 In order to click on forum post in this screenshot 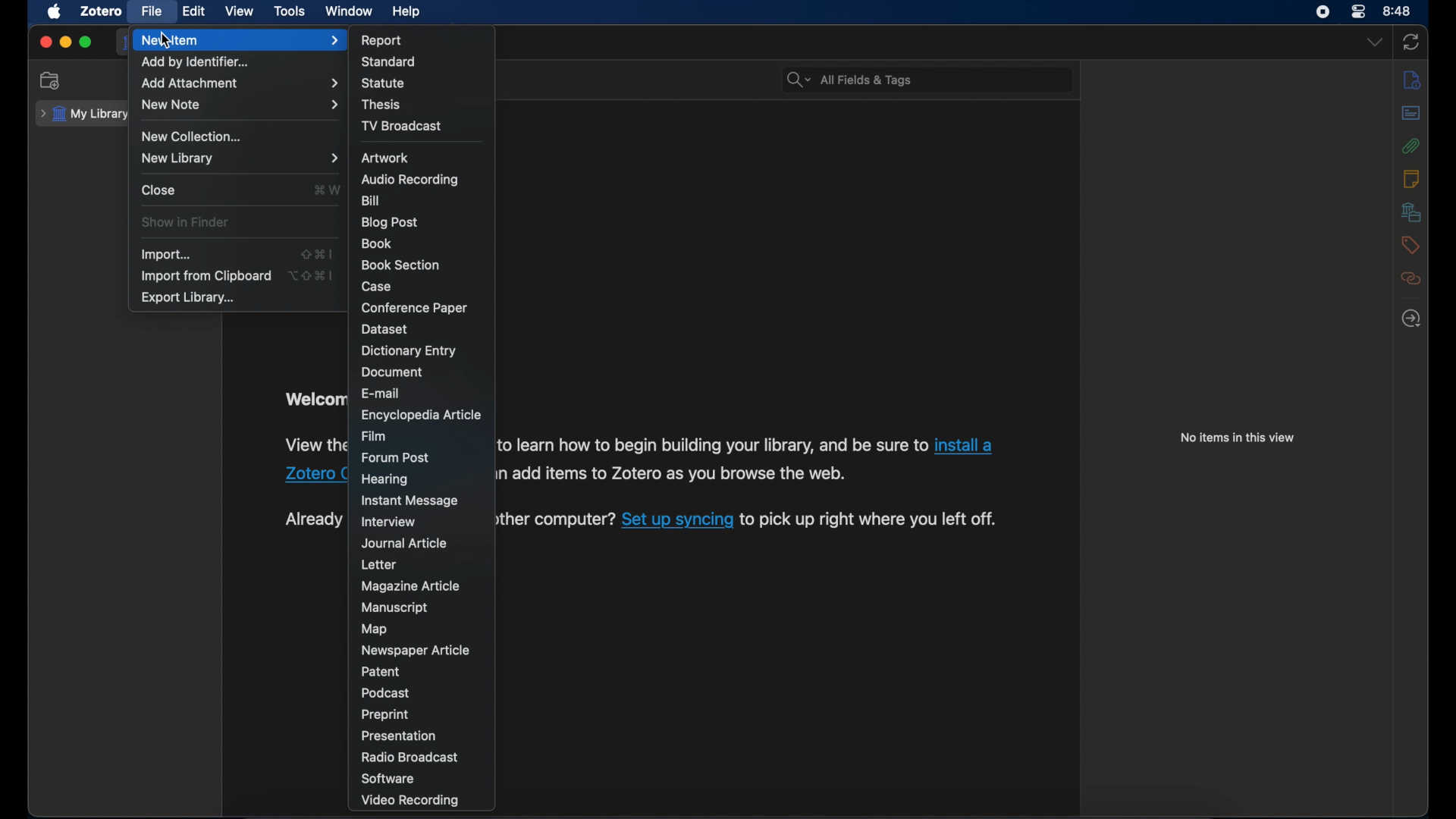, I will do `click(396, 458)`.